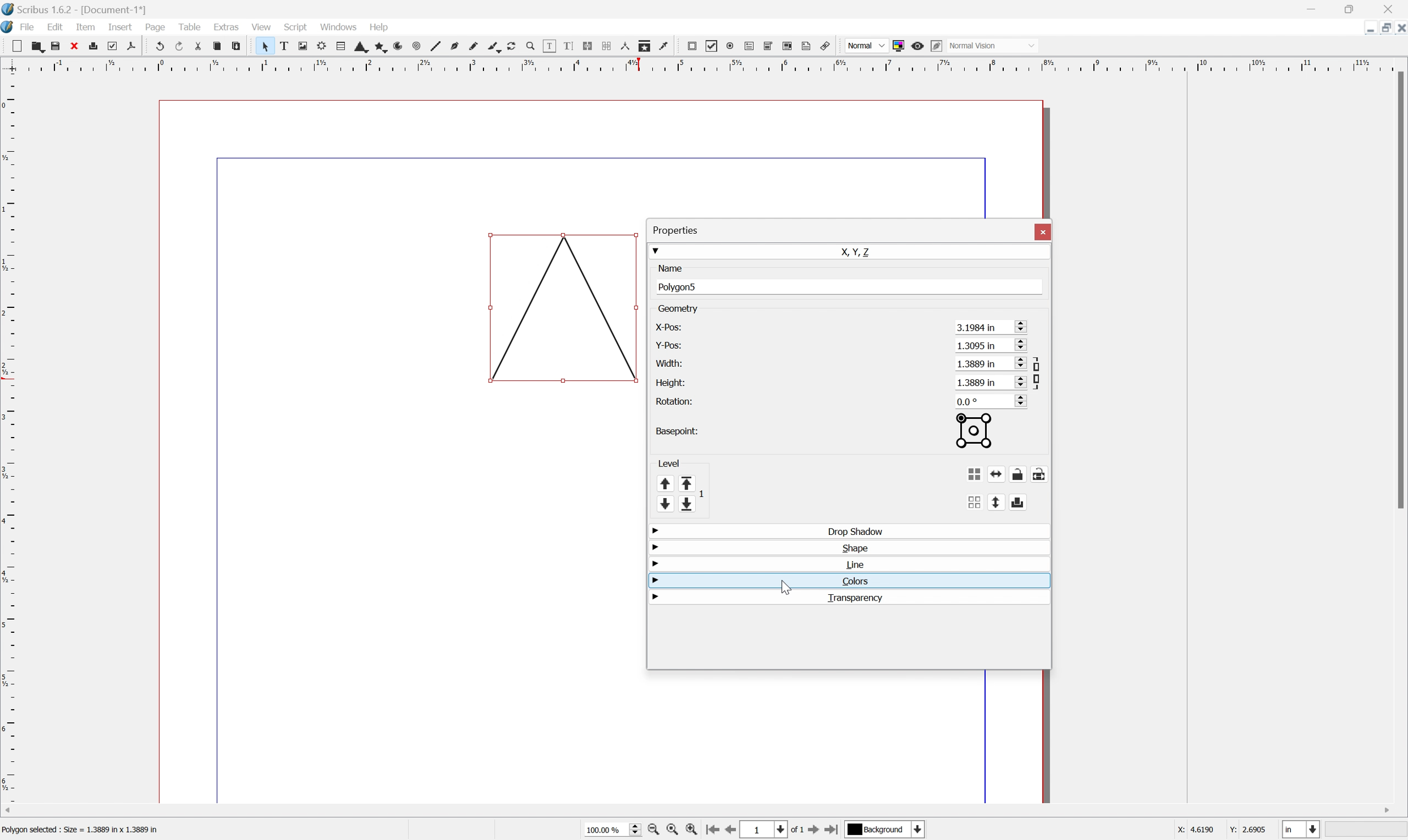 The height and width of the screenshot is (840, 1408). Describe the element at coordinates (1020, 346) in the screenshot. I see `Scroll` at that location.